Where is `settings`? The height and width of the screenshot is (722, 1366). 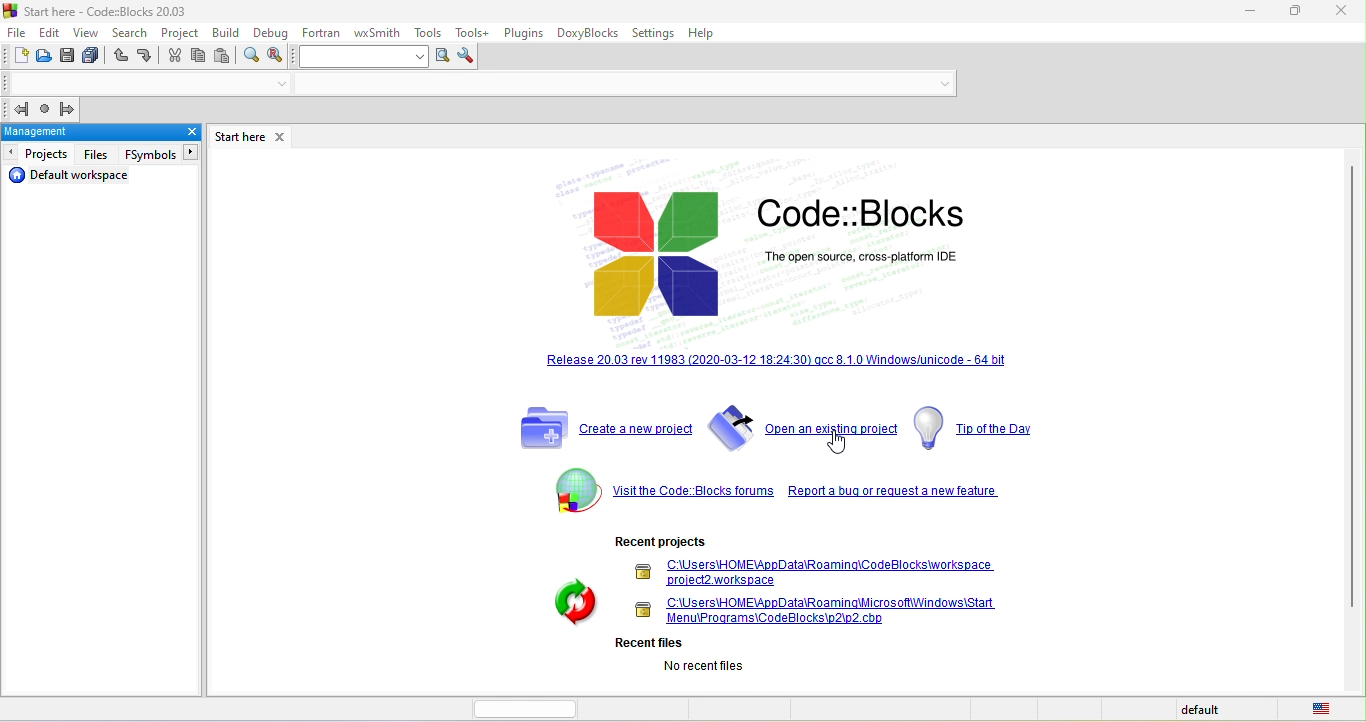
settings is located at coordinates (654, 32).